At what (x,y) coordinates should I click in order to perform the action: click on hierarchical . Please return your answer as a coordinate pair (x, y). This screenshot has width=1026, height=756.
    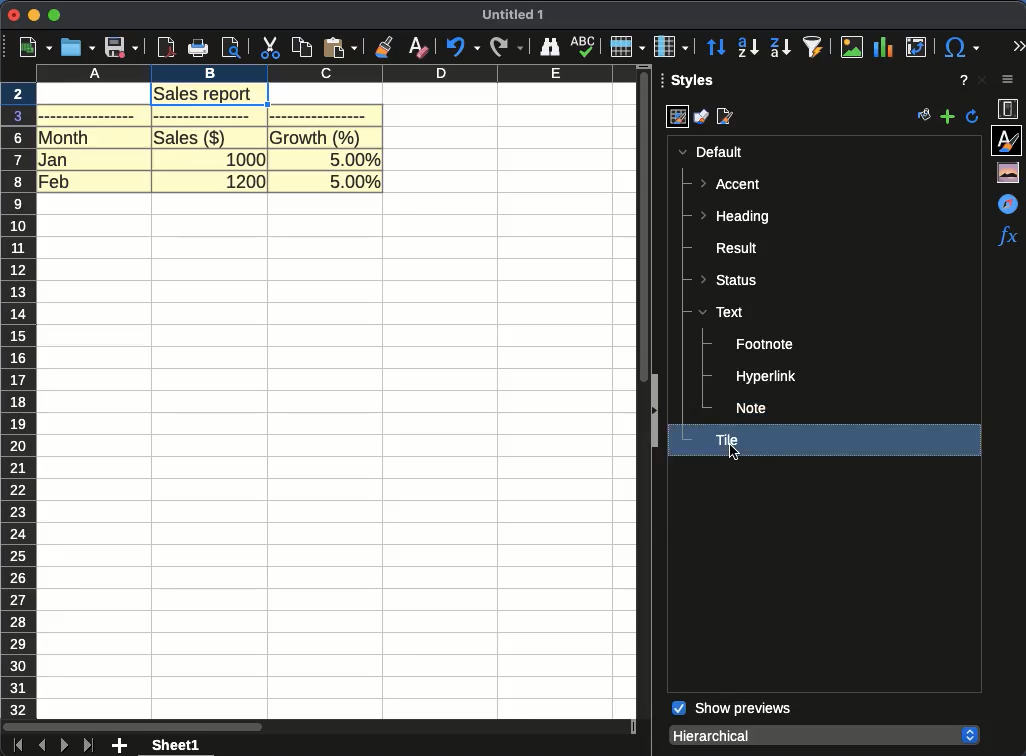
    Looking at the image, I should click on (823, 734).